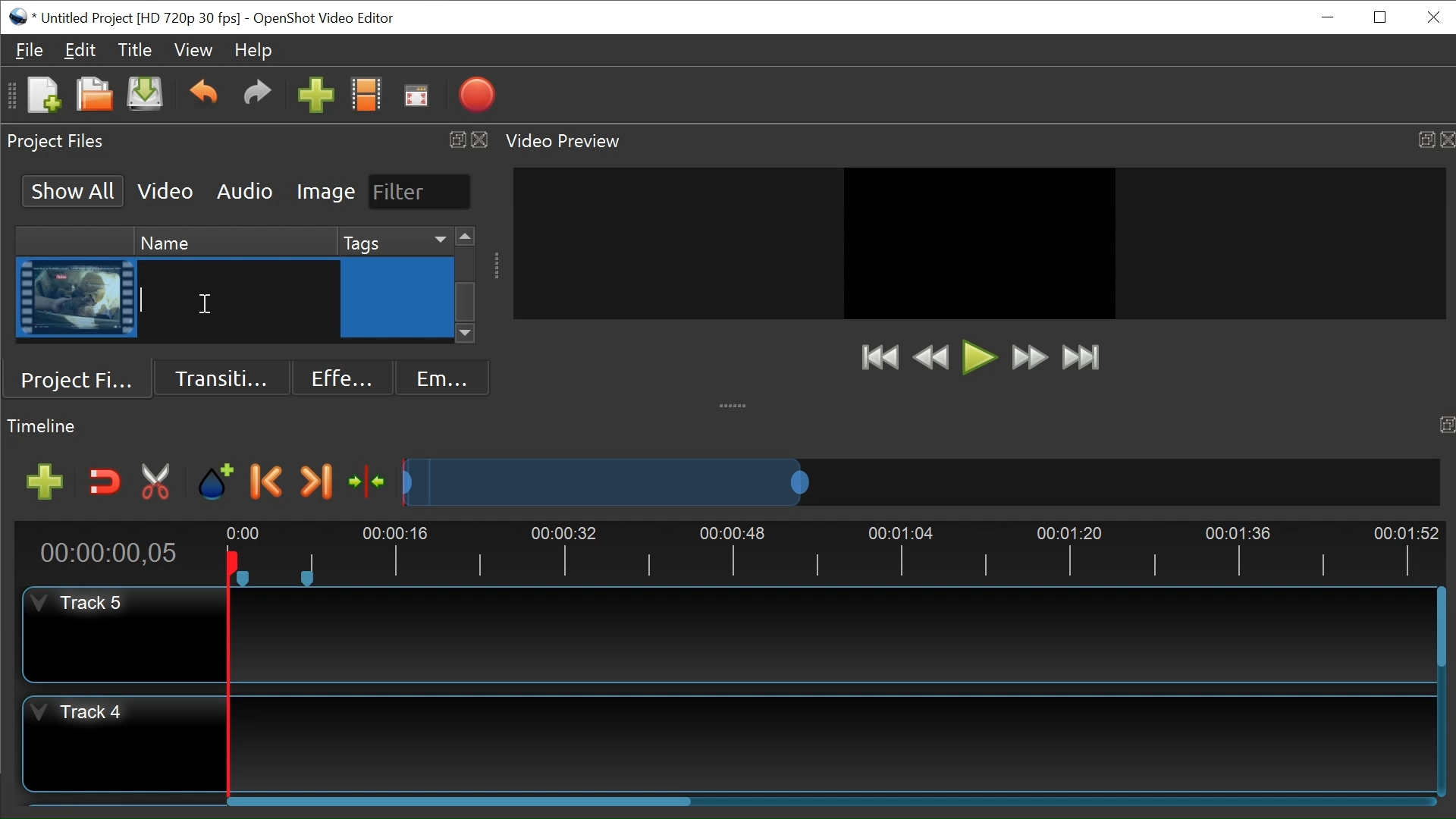 The width and height of the screenshot is (1456, 819). I want to click on Clip, so click(77, 298).